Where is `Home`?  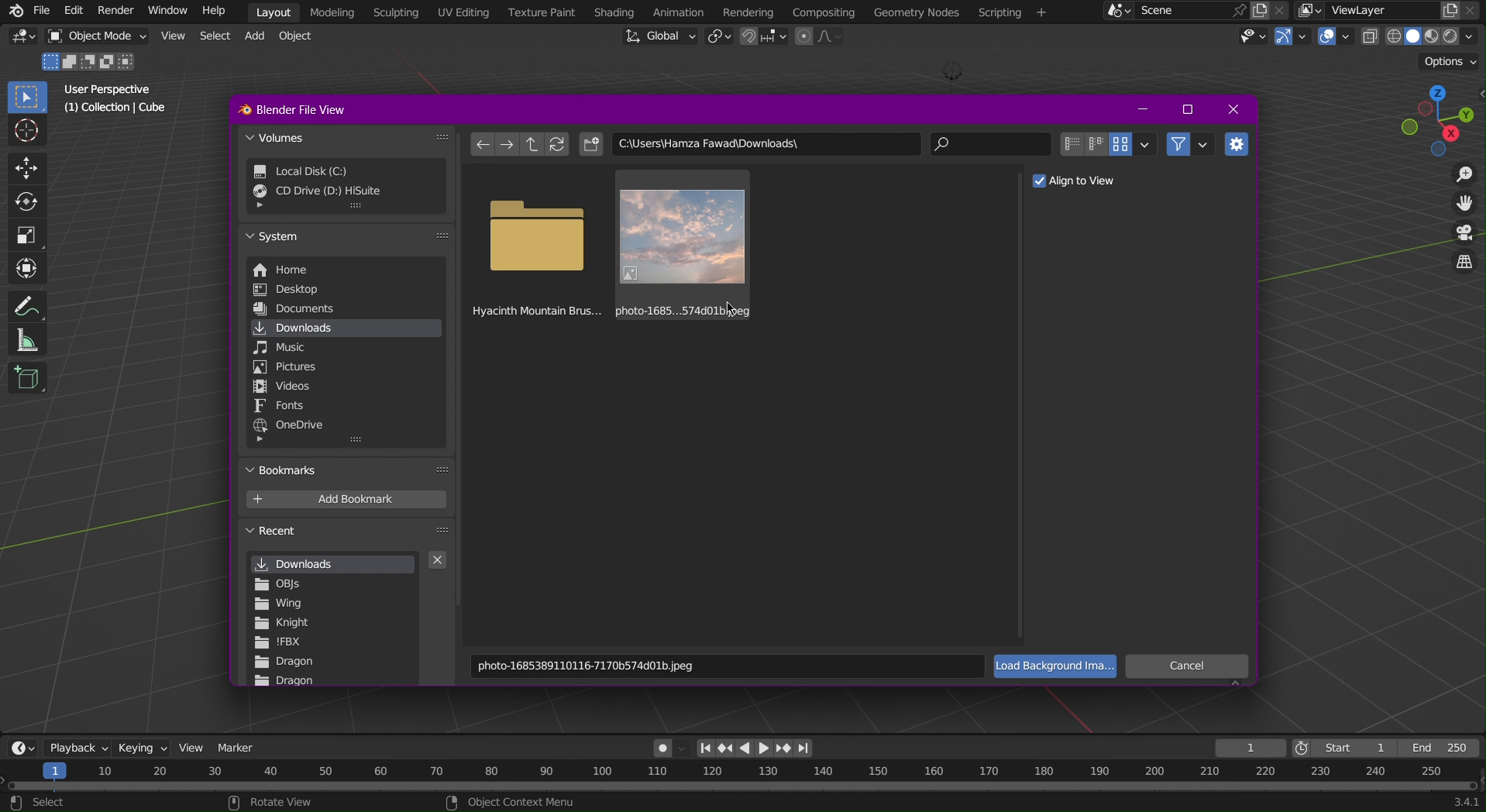
Home is located at coordinates (306, 270).